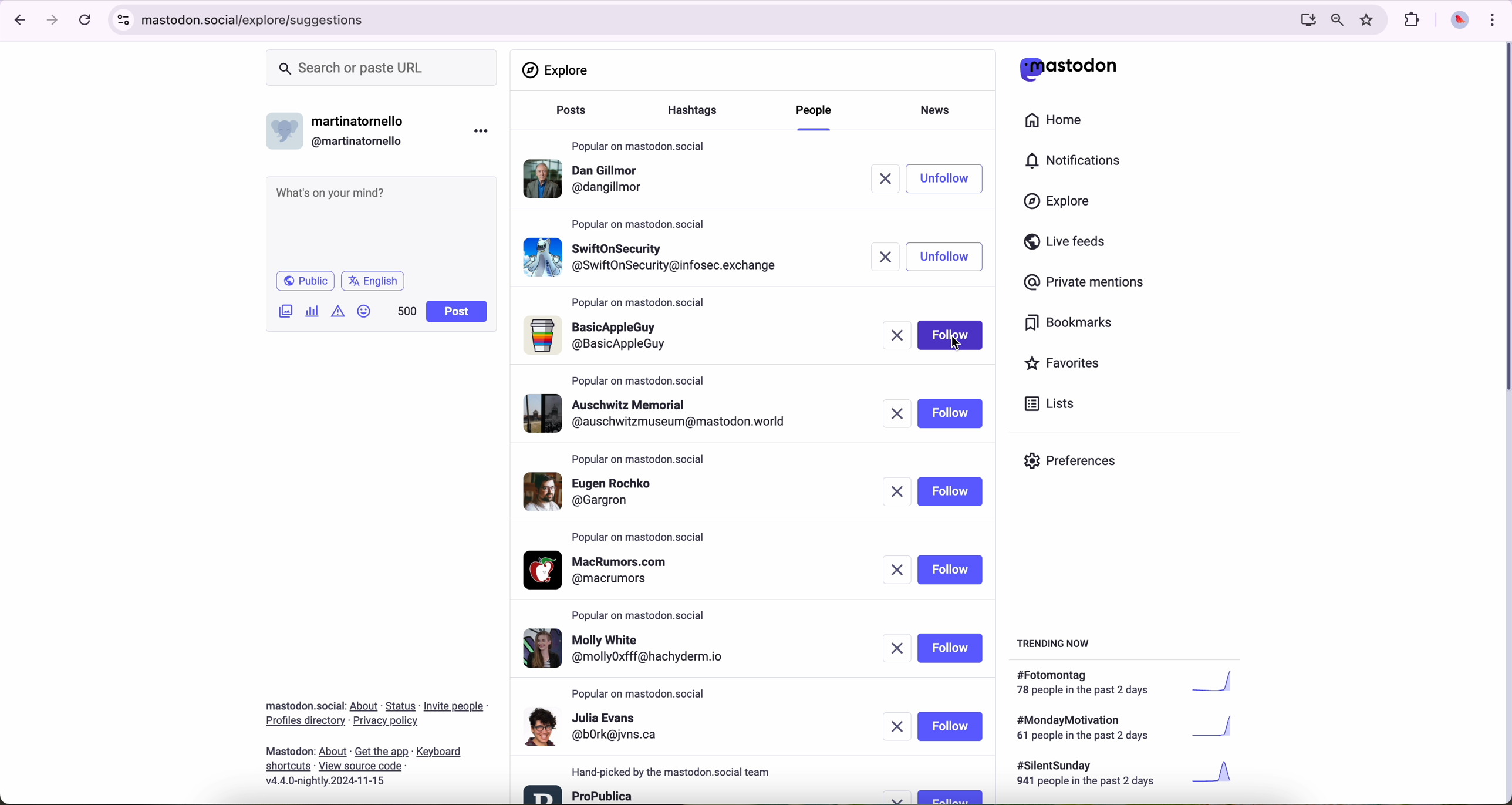 This screenshot has width=1512, height=805. What do you see at coordinates (341, 128) in the screenshot?
I see `username` at bounding box center [341, 128].